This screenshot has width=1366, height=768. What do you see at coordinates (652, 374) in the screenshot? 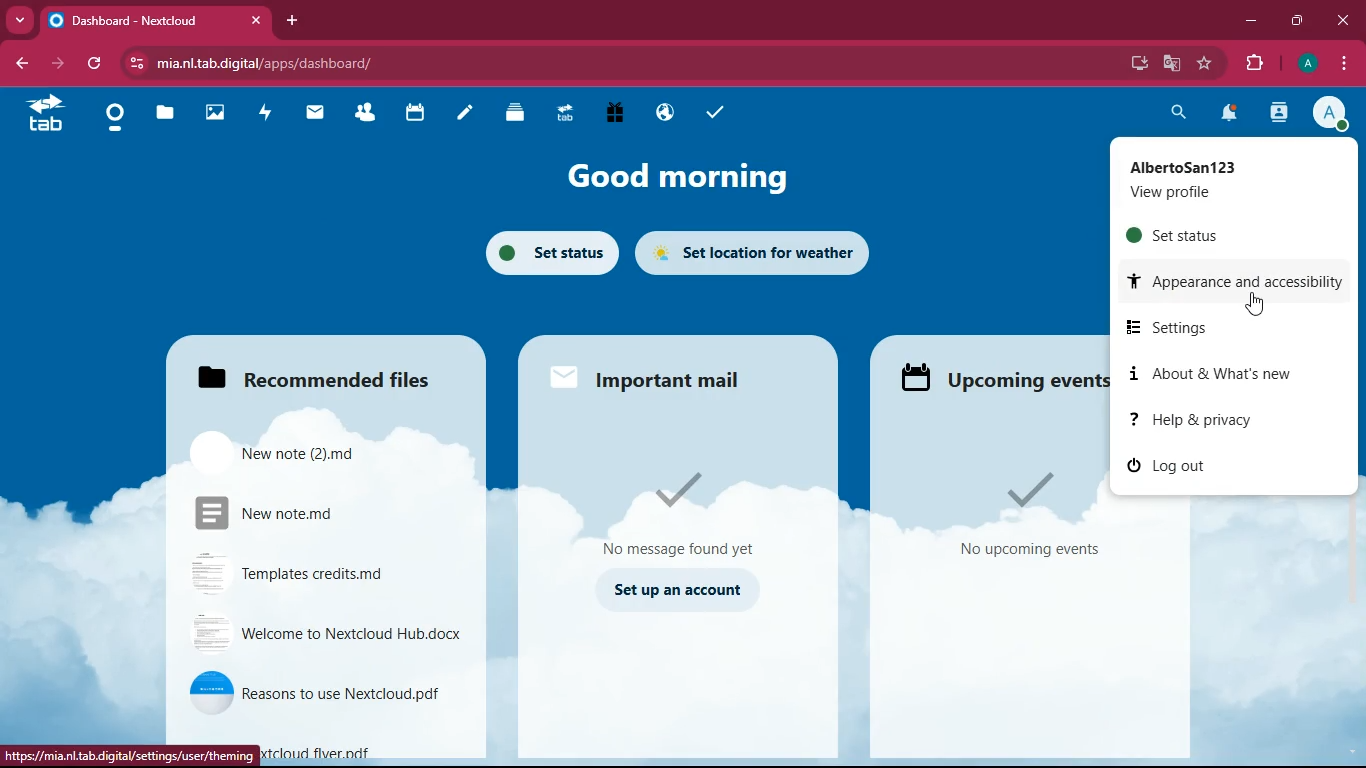
I see `mail` at bounding box center [652, 374].